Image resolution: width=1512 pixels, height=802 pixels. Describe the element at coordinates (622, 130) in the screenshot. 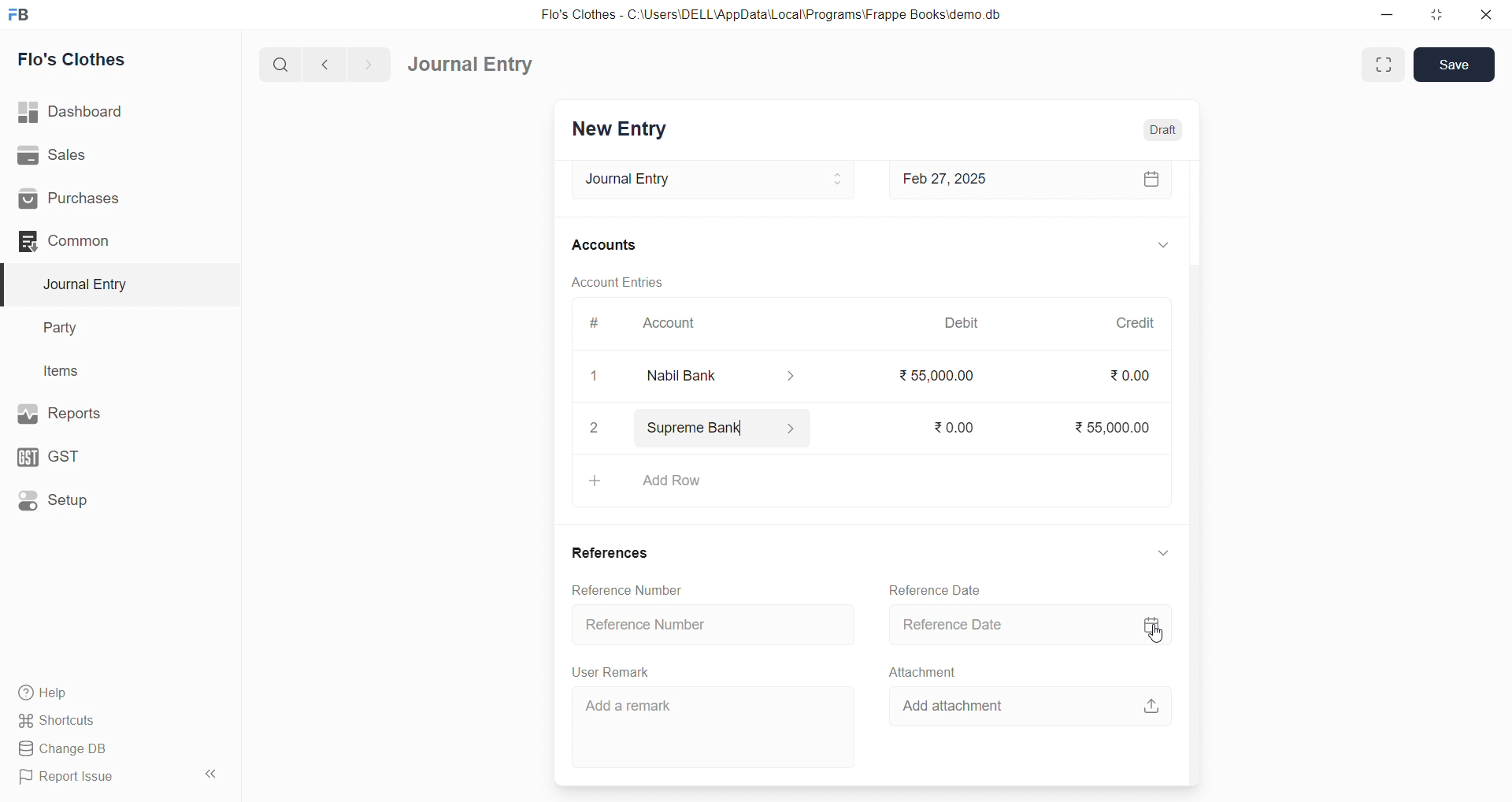

I see `New Entry` at that location.